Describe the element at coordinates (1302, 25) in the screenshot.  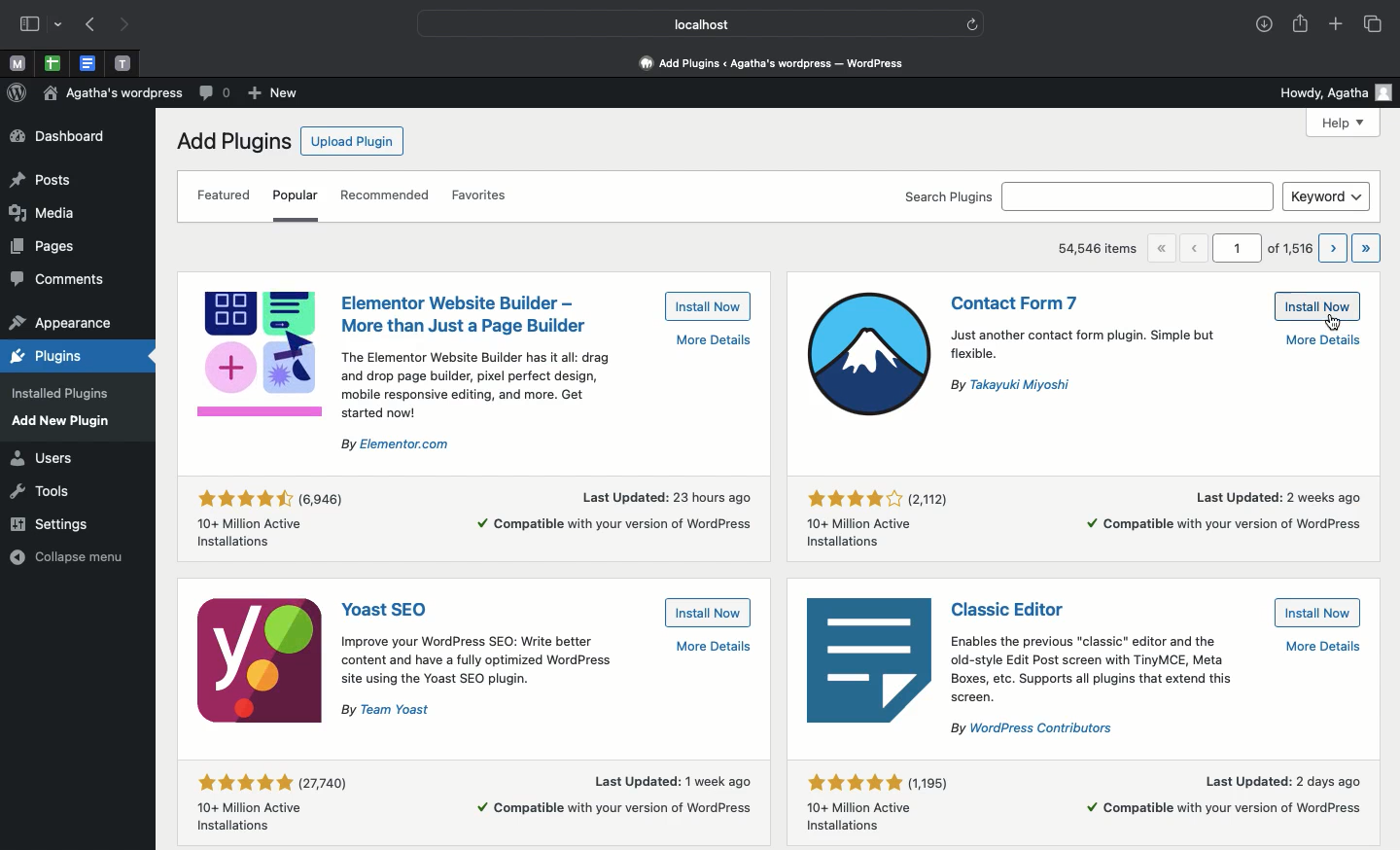
I see `Share` at that location.